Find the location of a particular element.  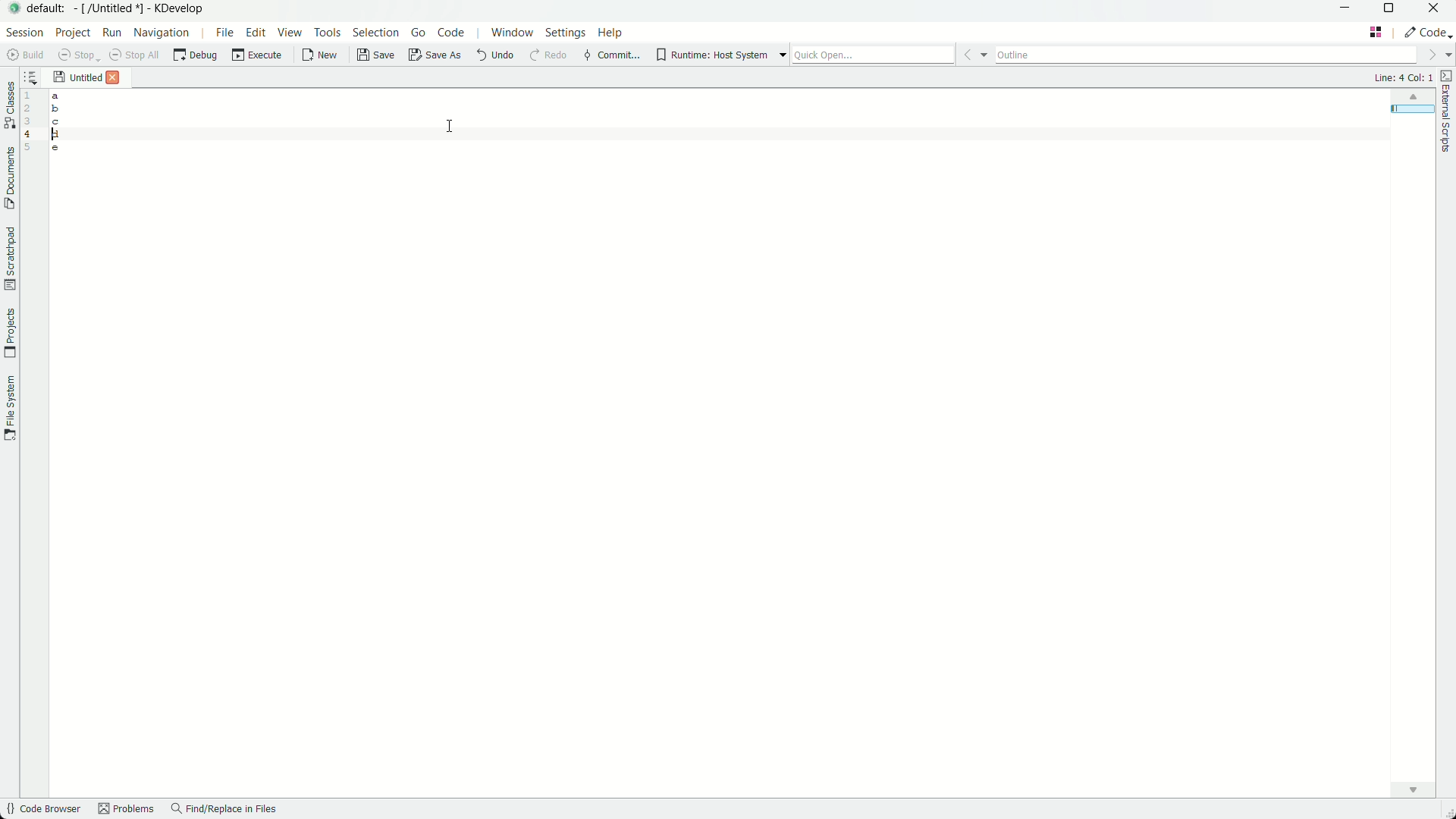

untitled is located at coordinates (84, 78).